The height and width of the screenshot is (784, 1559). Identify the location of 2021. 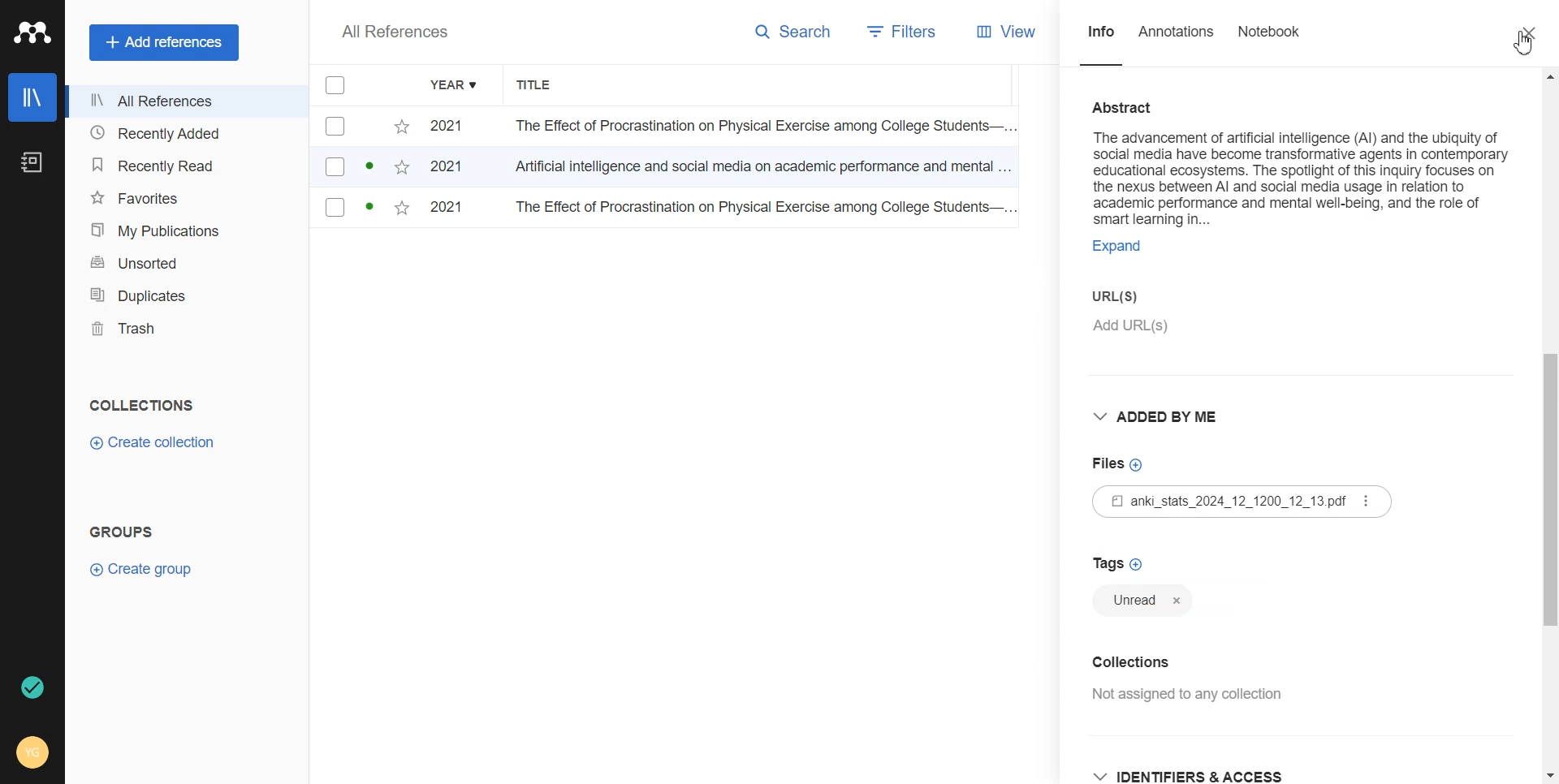
(452, 127).